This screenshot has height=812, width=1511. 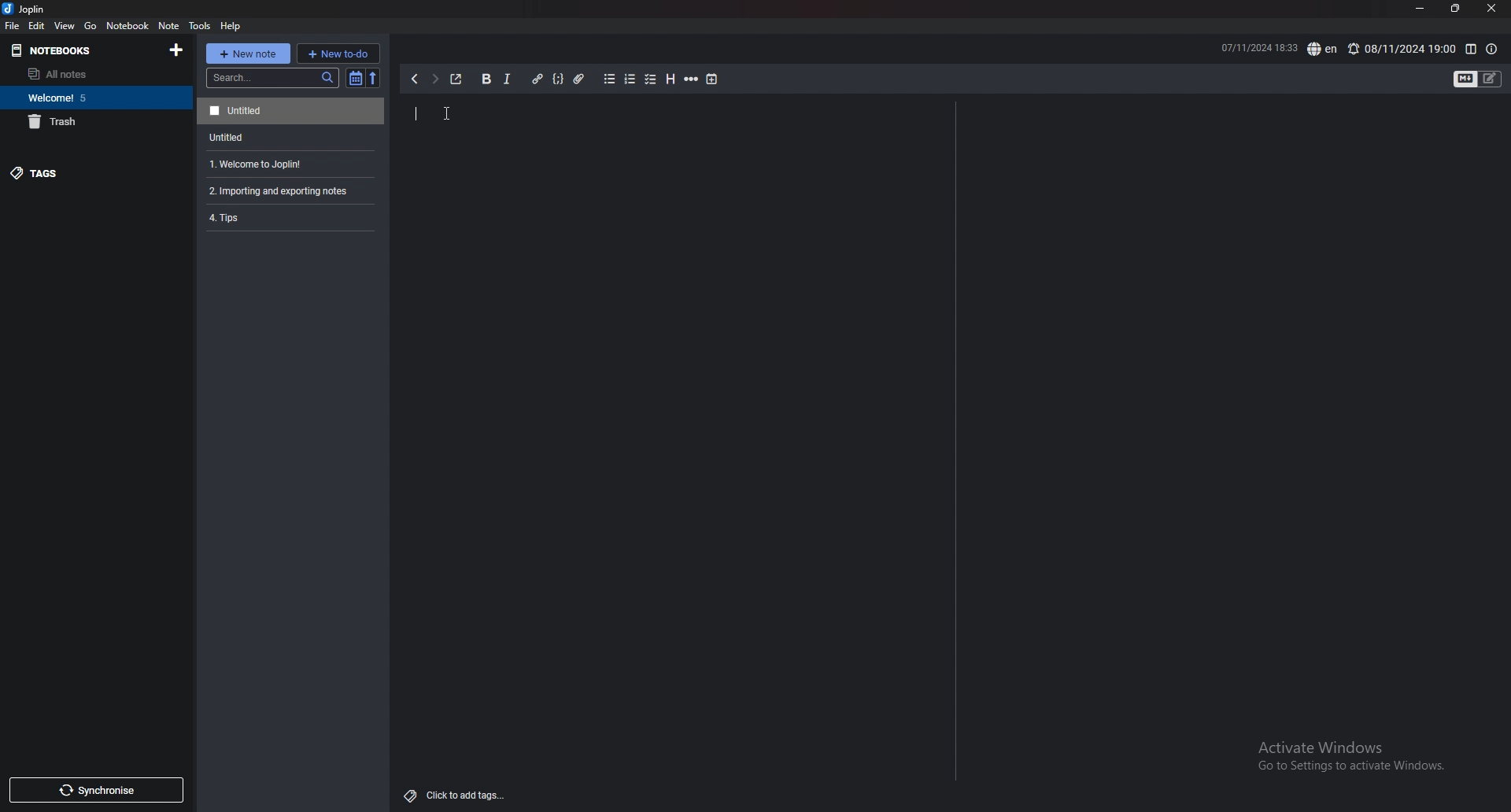 I want to click on heading, so click(x=671, y=79).